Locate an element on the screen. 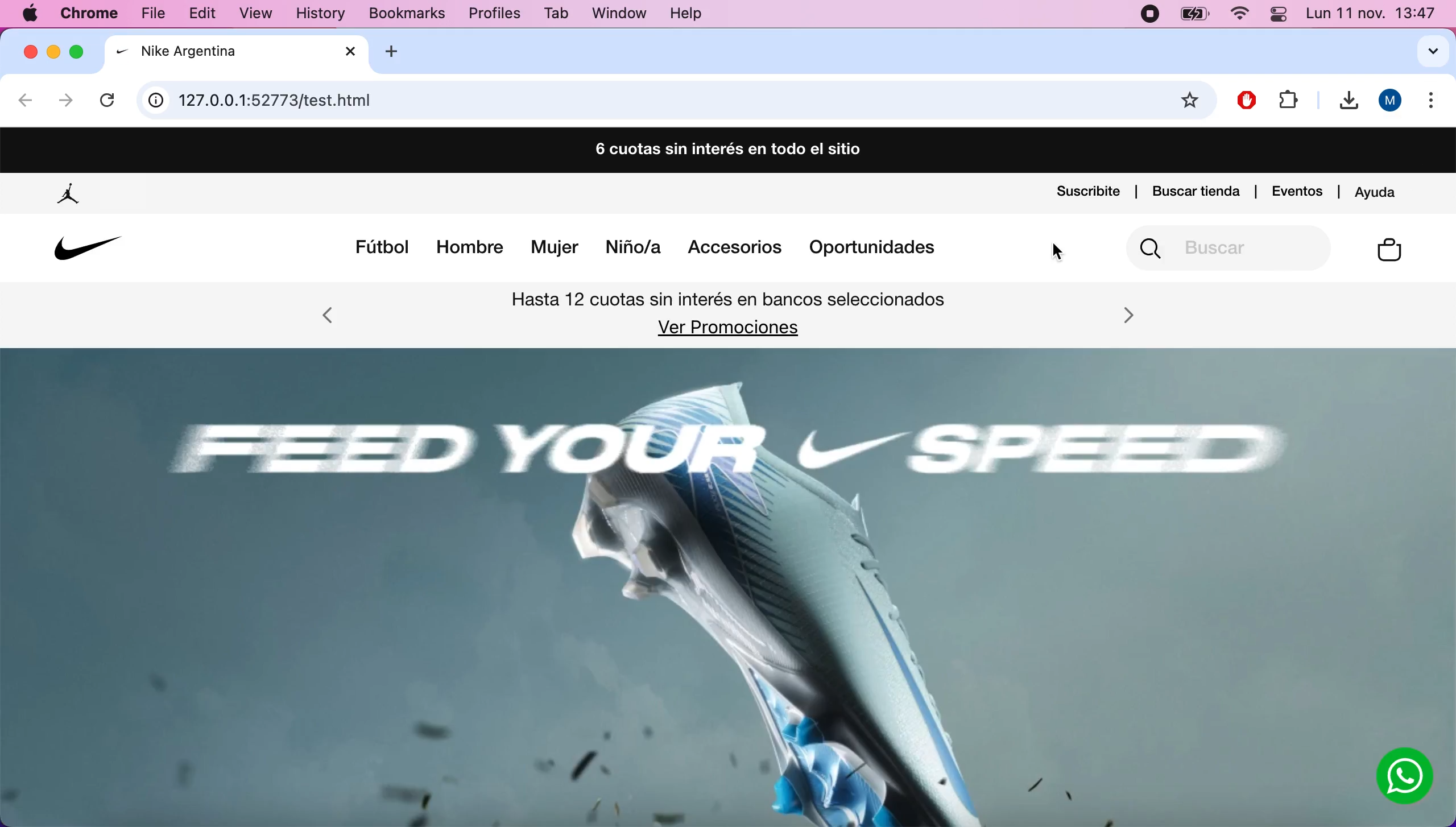 The image size is (1456, 827). View Promotions is located at coordinates (726, 328).